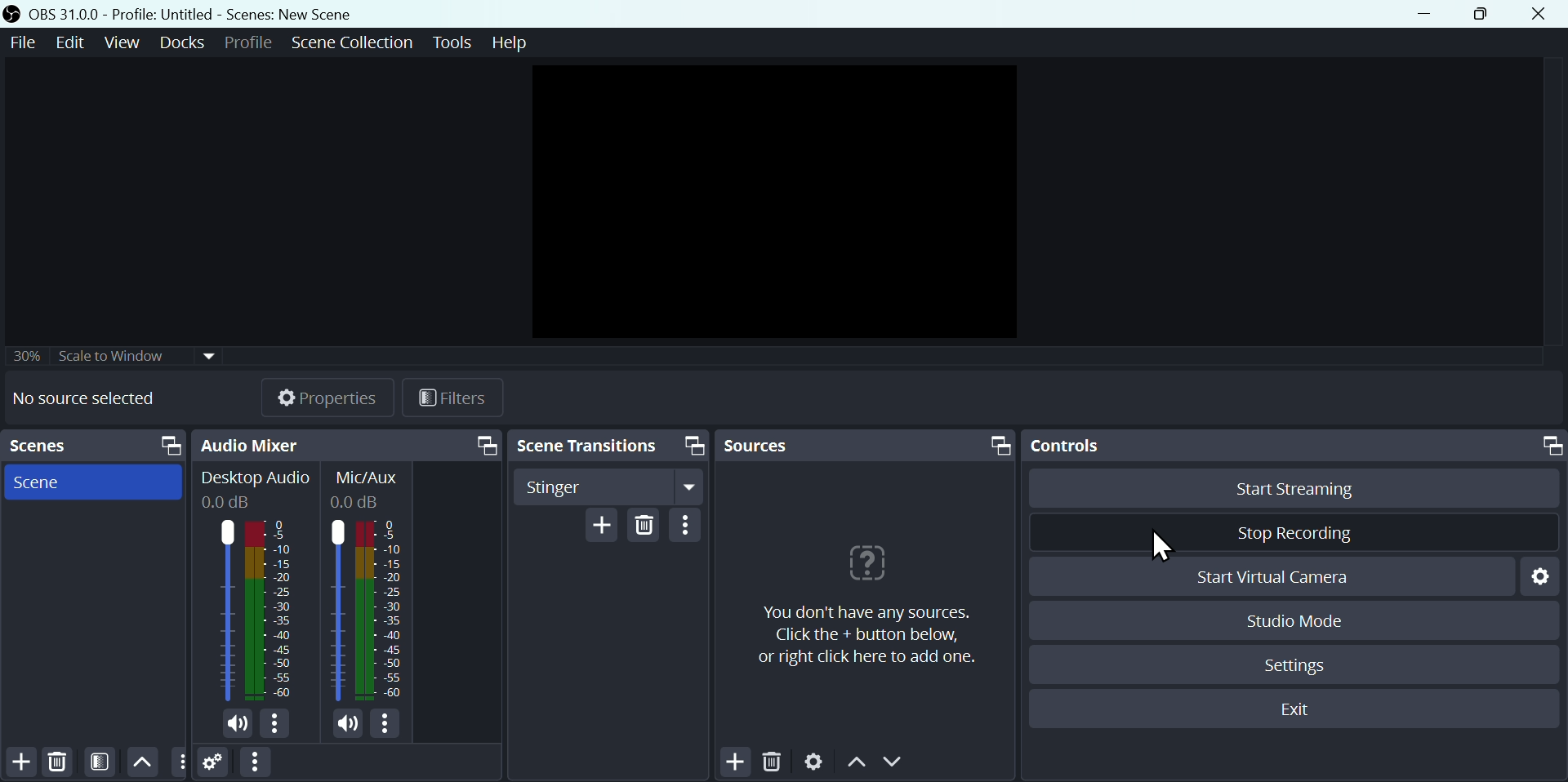 Image resolution: width=1568 pixels, height=782 pixels. I want to click on Settings, so click(1298, 664).